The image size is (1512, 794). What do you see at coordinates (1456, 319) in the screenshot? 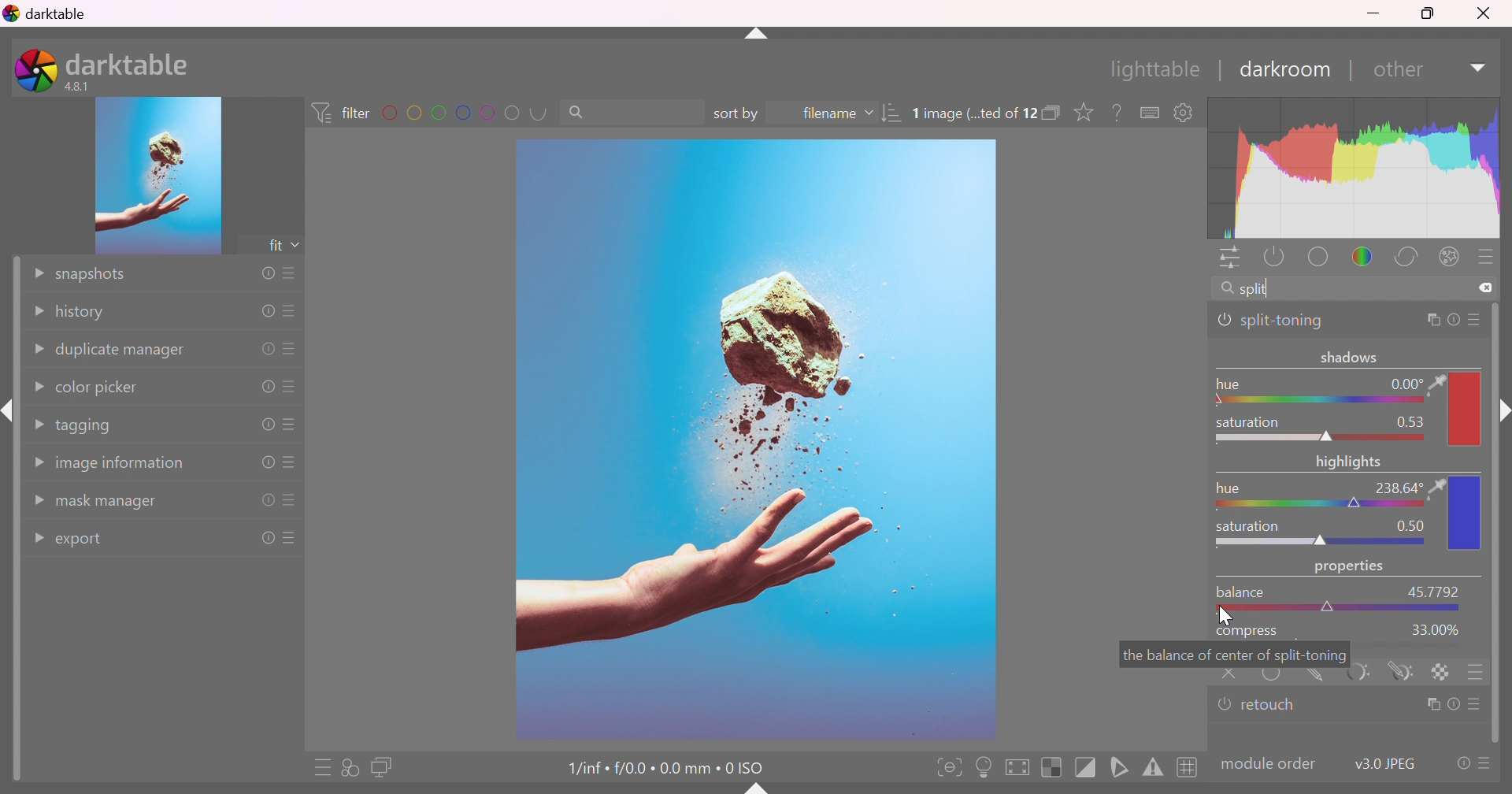
I see `reset parameters` at bounding box center [1456, 319].